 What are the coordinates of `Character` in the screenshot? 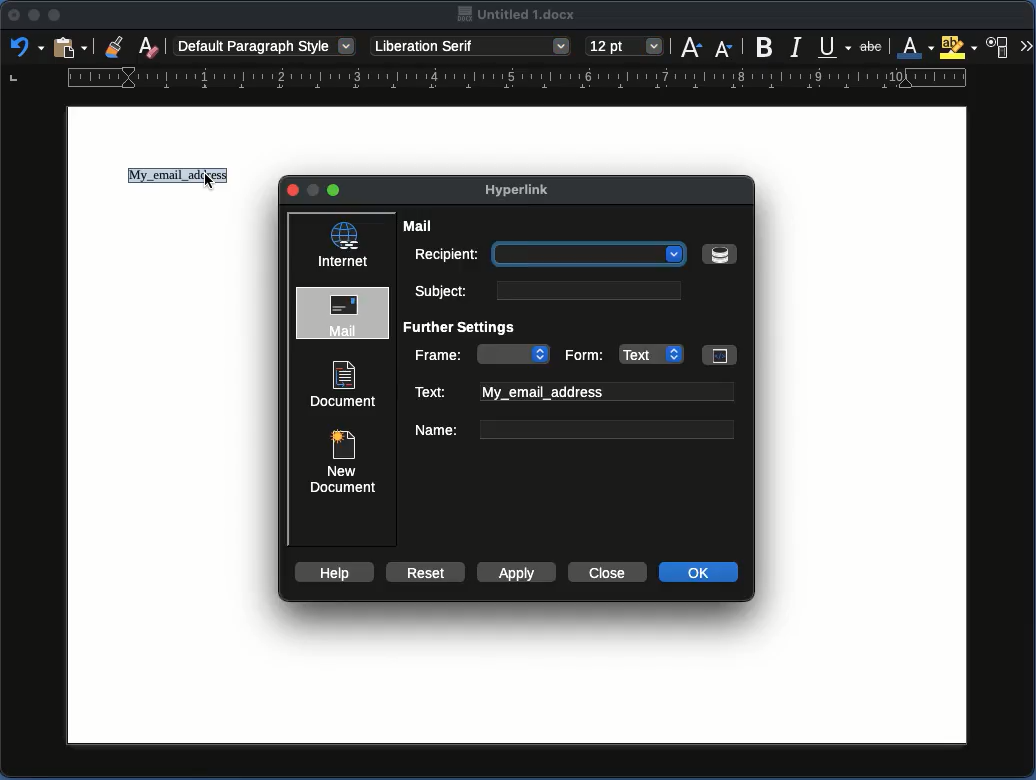 It's located at (1000, 45).